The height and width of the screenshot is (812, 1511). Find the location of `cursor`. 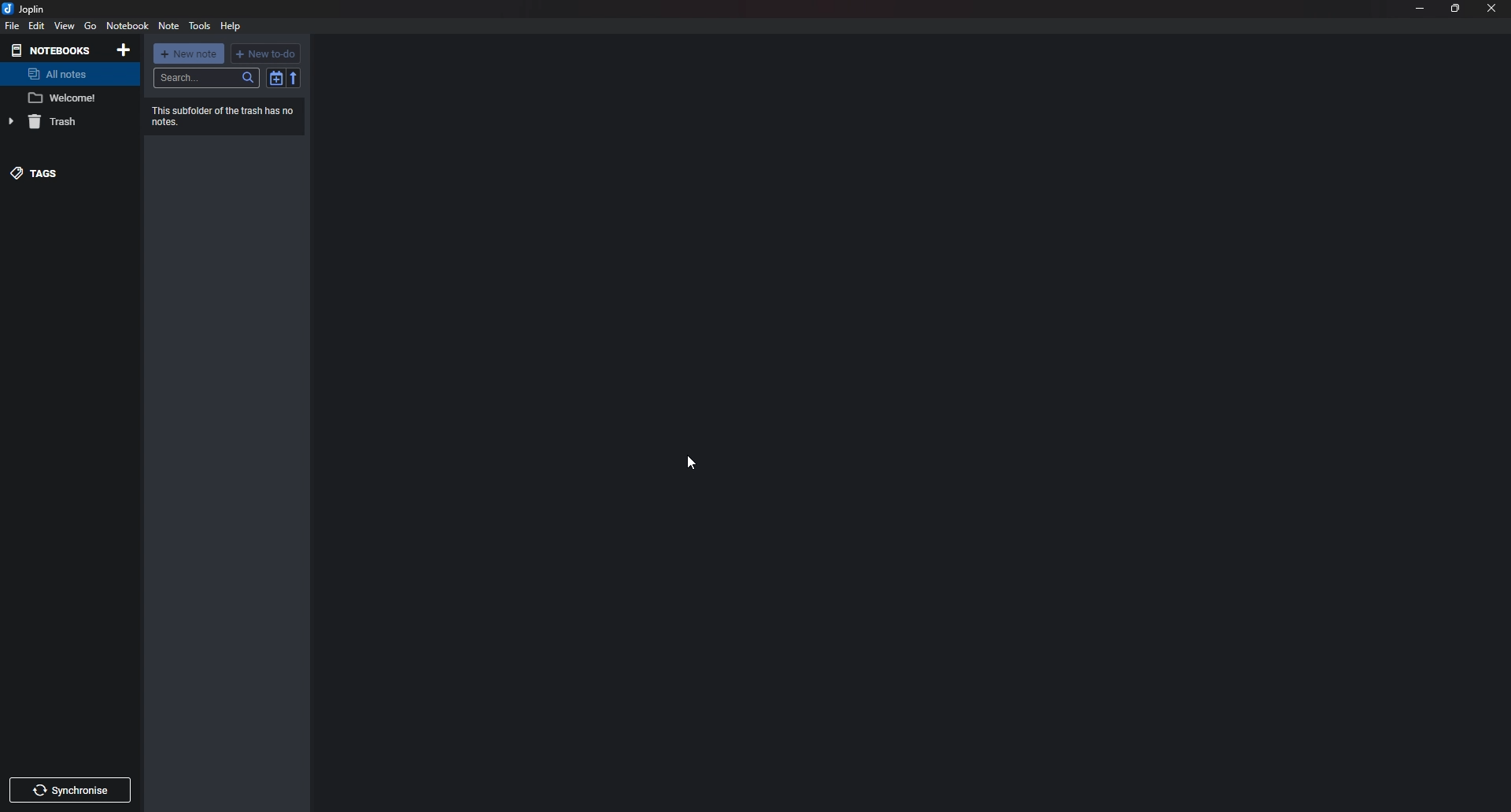

cursor is located at coordinates (692, 463).